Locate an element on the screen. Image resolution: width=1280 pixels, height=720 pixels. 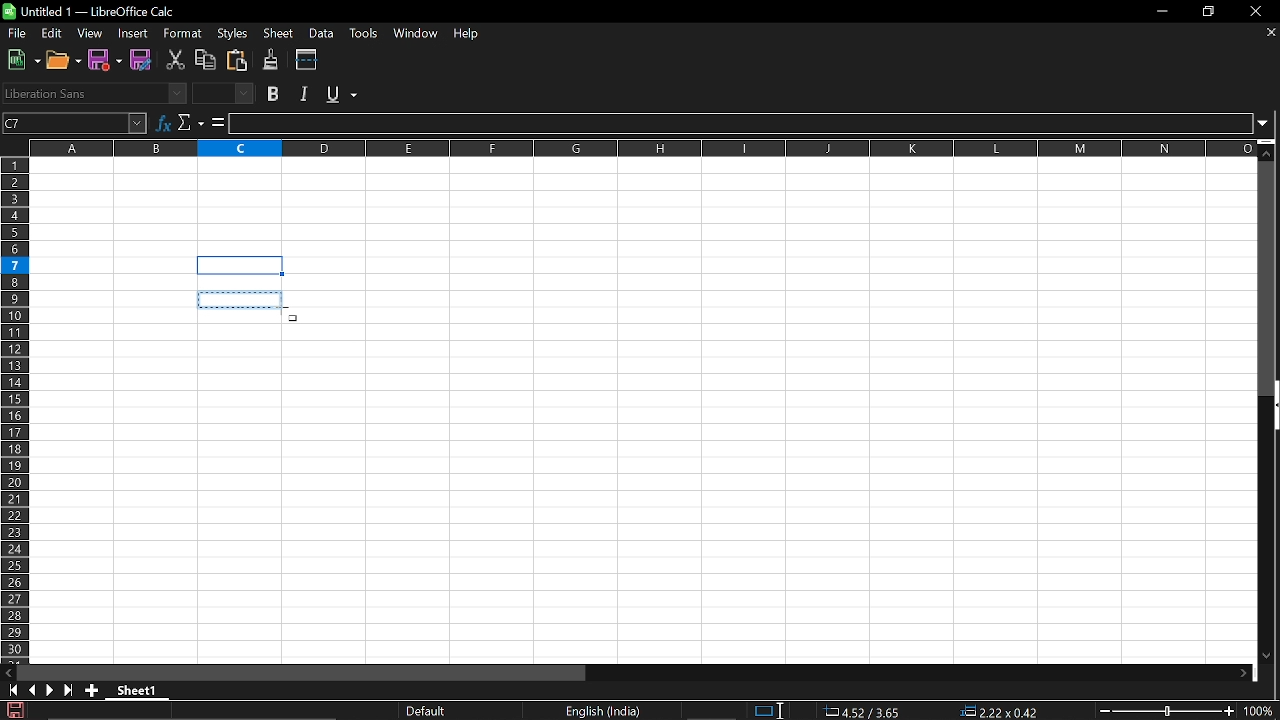
Formula standard selection is located at coordinates (938, 712).